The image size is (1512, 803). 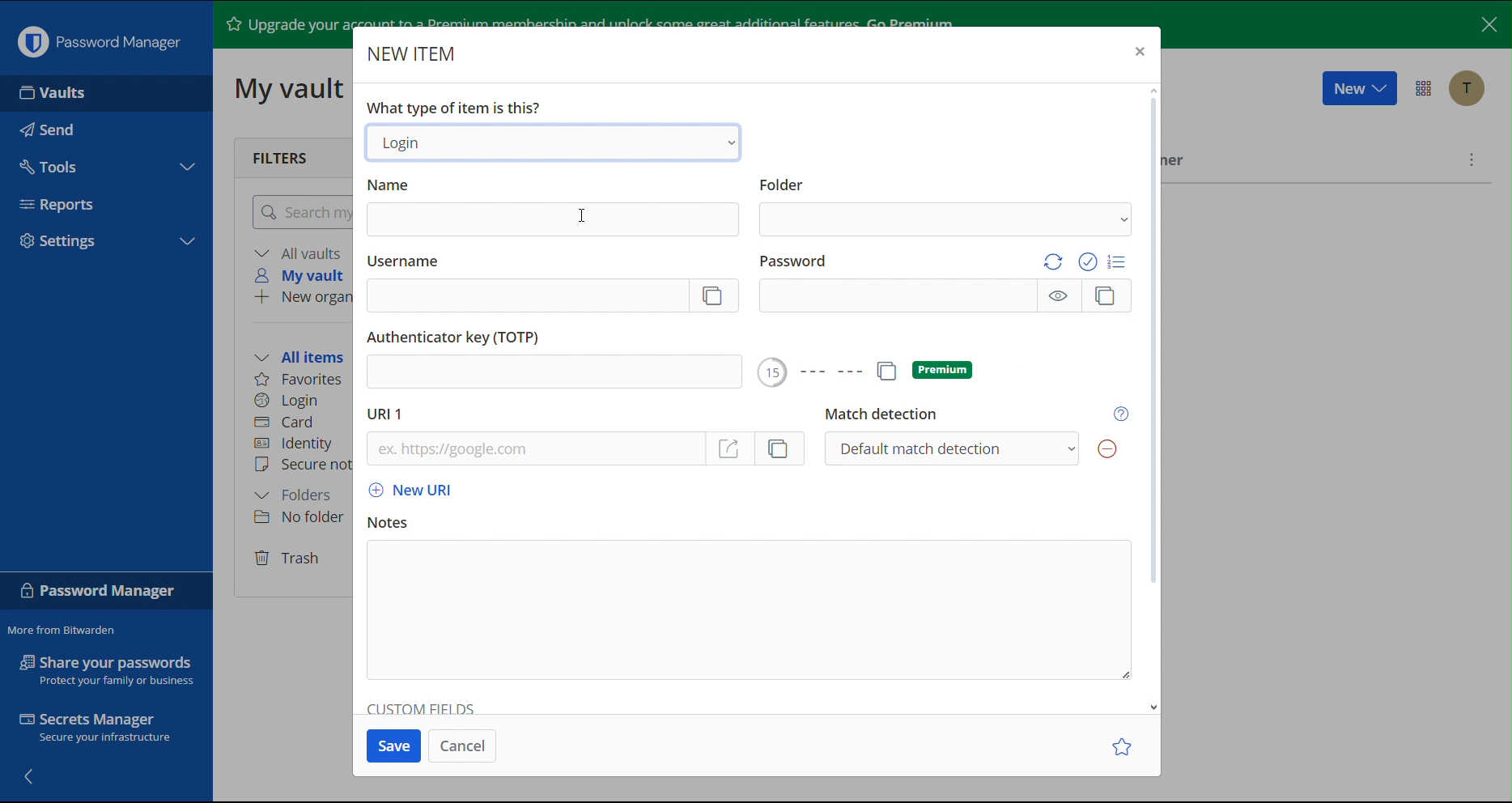 I want to click on Trash, so click(x=290, y=559).